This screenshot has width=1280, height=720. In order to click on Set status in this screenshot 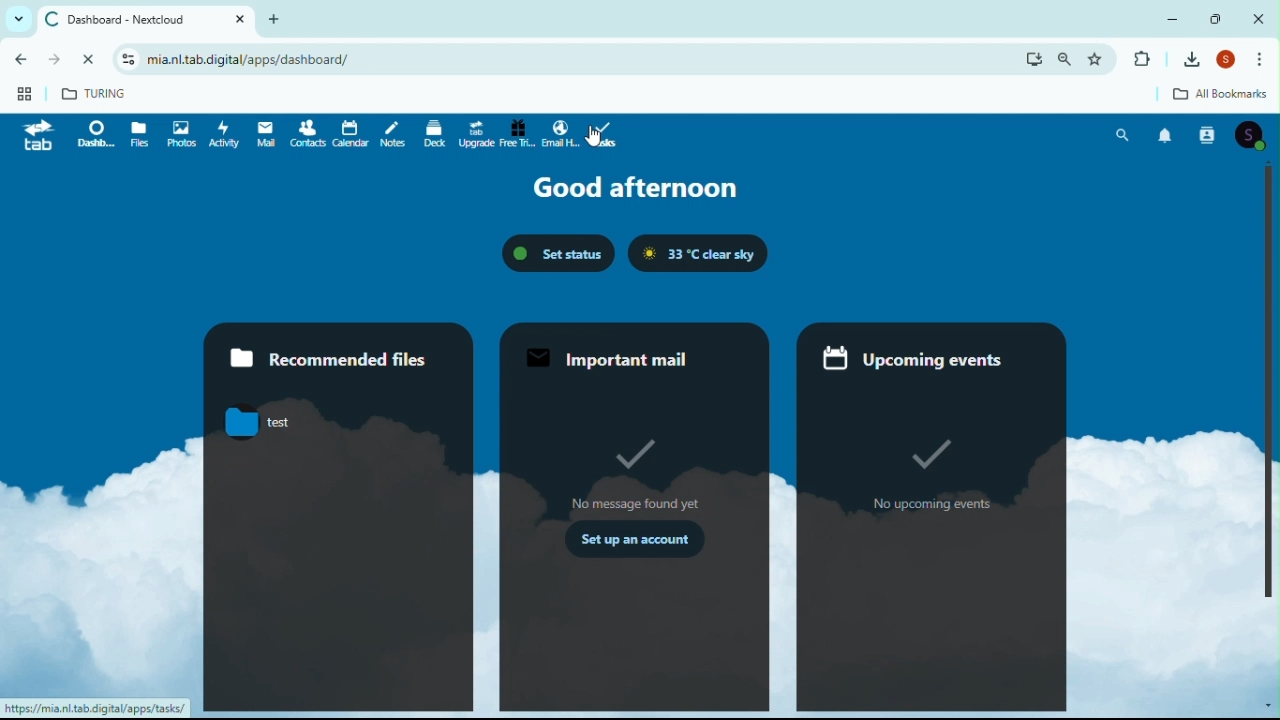, I will do `click(560, 253)`.